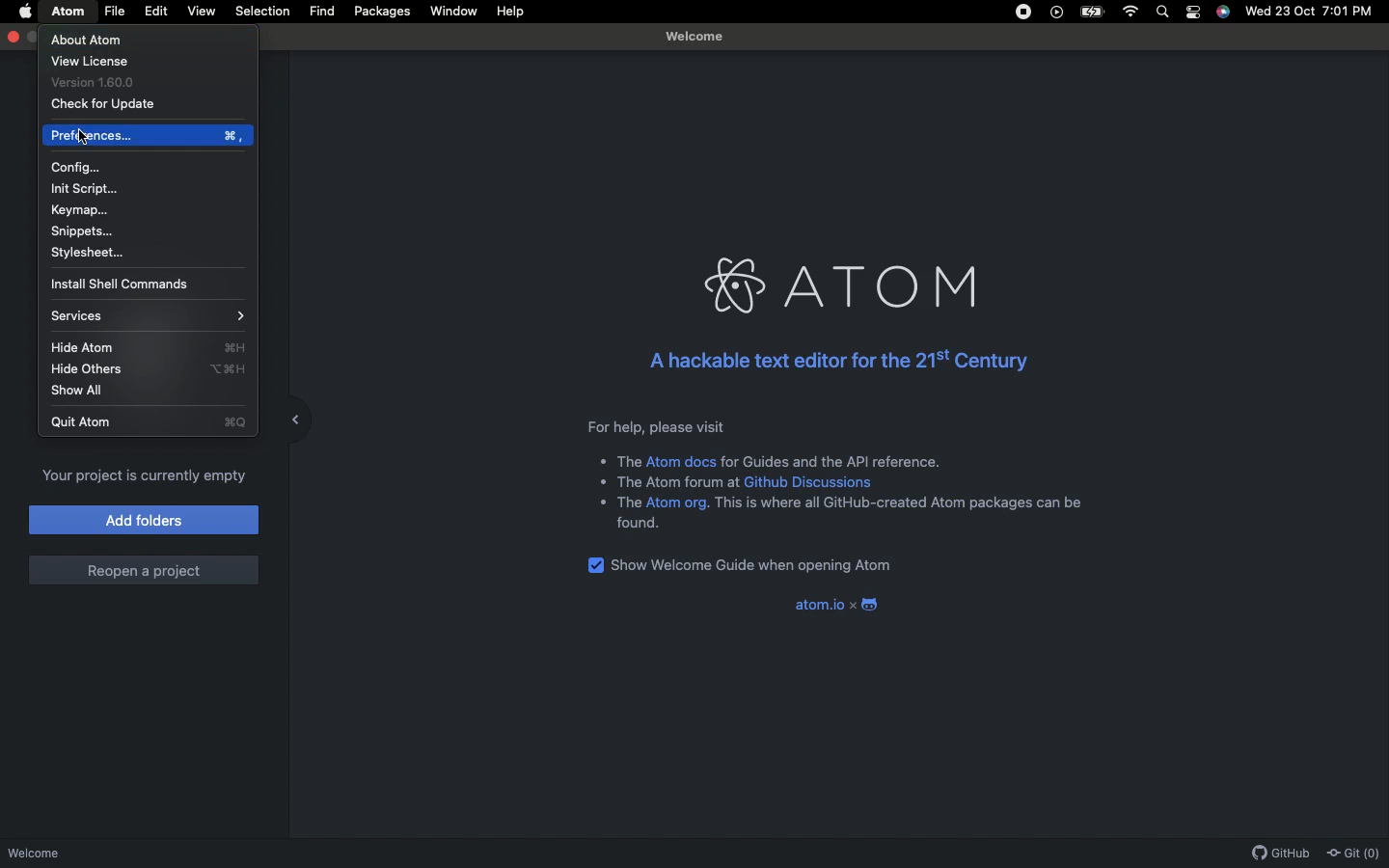  I want to click on cursor, so click(82, 141).